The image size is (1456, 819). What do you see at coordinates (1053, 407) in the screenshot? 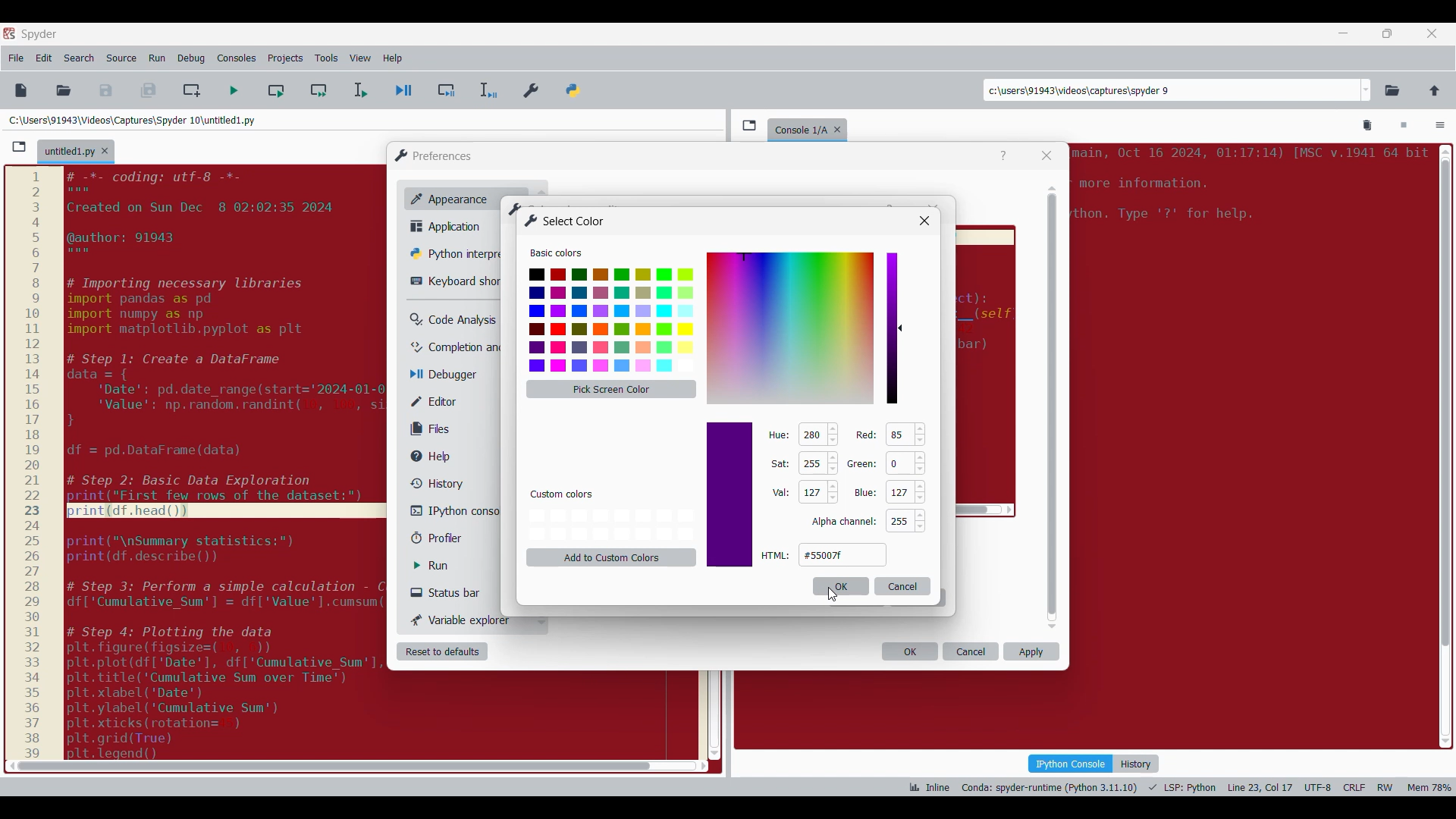
I see `Vertical slide bar` at bounding box center [1053, 407].